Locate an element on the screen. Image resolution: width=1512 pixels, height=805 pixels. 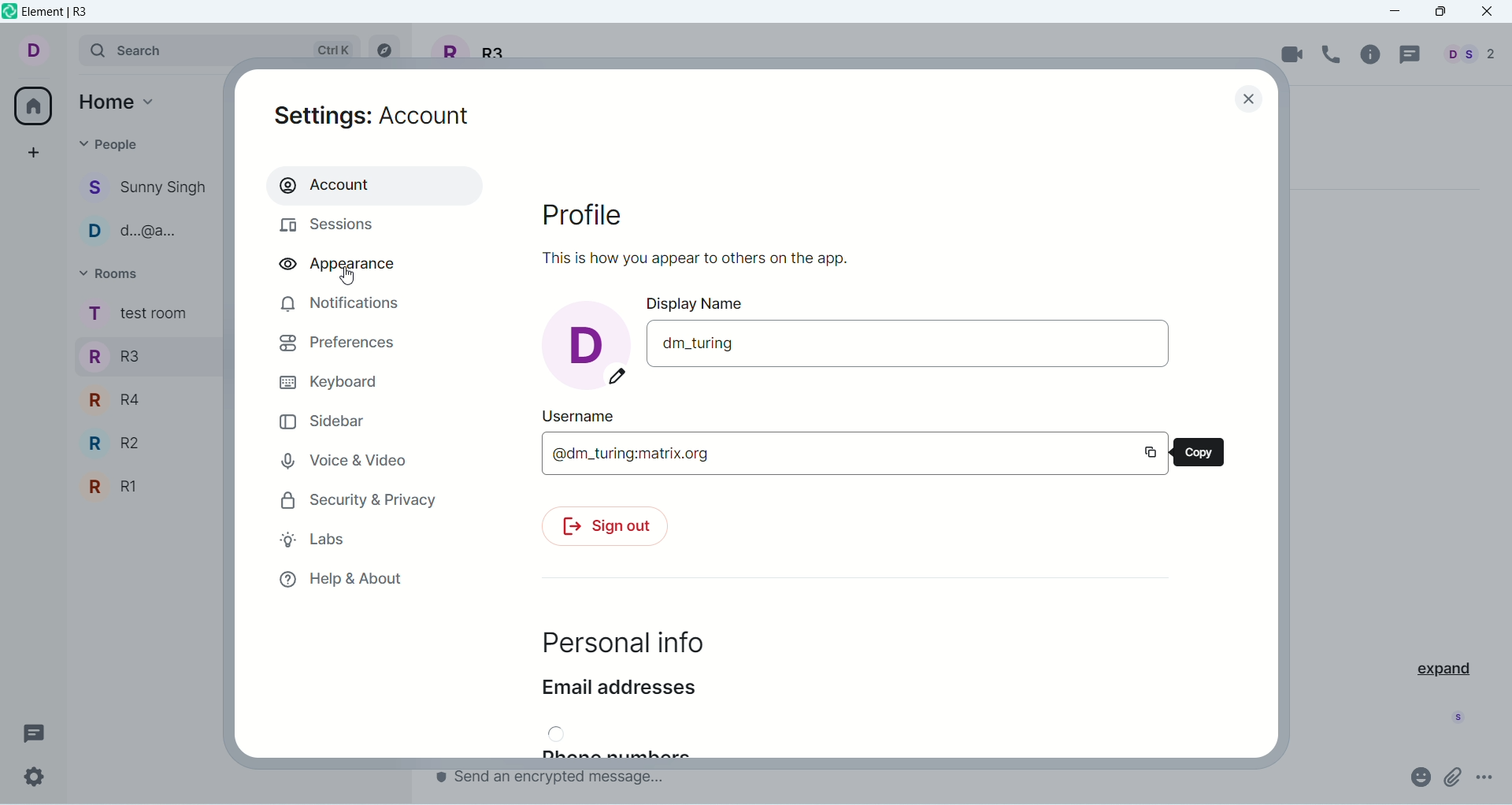
profile is located at coordinates (597, 219).